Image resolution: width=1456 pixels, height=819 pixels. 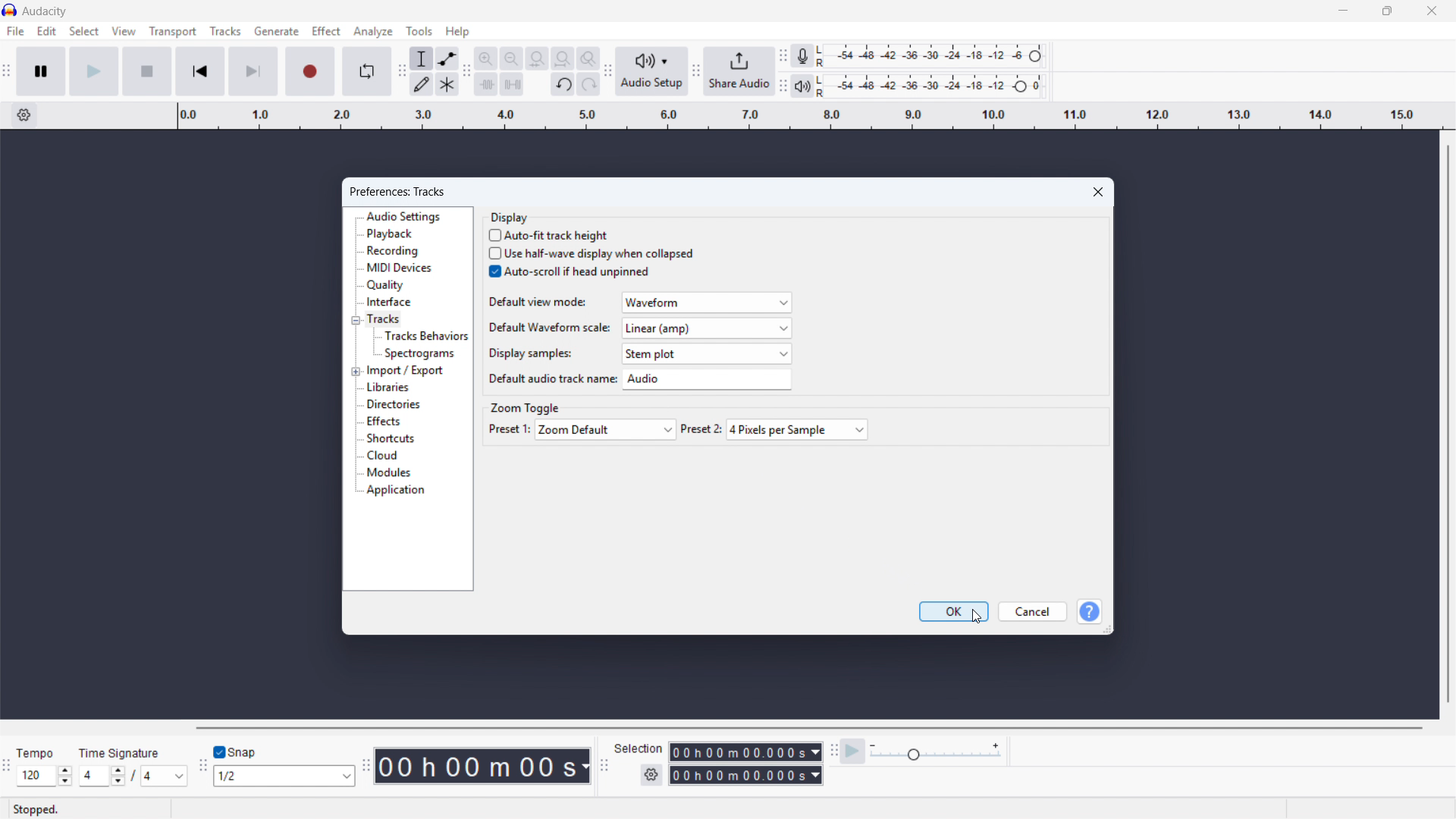 What do you see at coordinates (406, 370) in the screenshot?
I see `import/export` at bounding box center [406, 370].